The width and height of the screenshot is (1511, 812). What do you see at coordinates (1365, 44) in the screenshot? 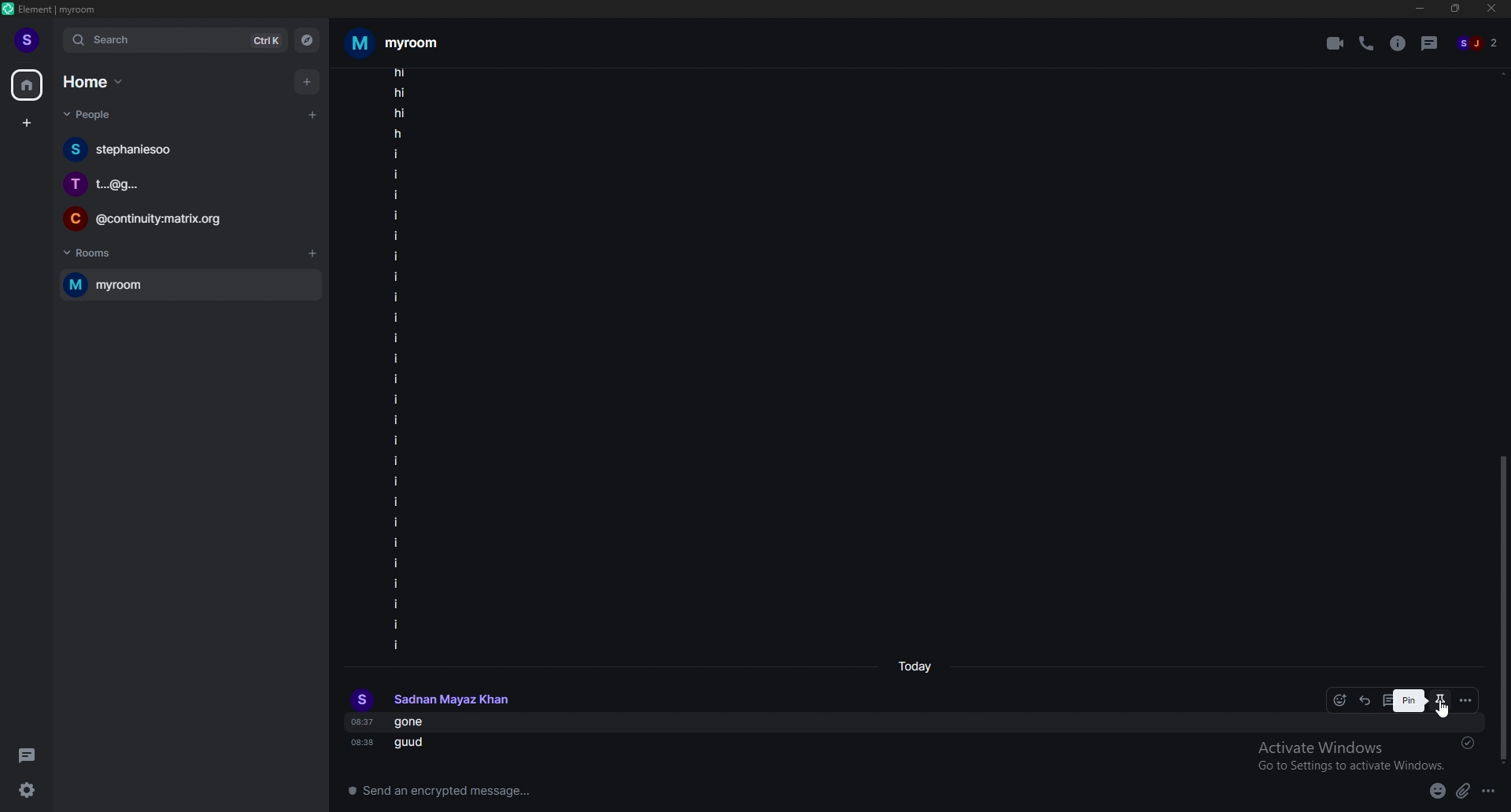
I see `voice call` at bounding box center [1365, 44].